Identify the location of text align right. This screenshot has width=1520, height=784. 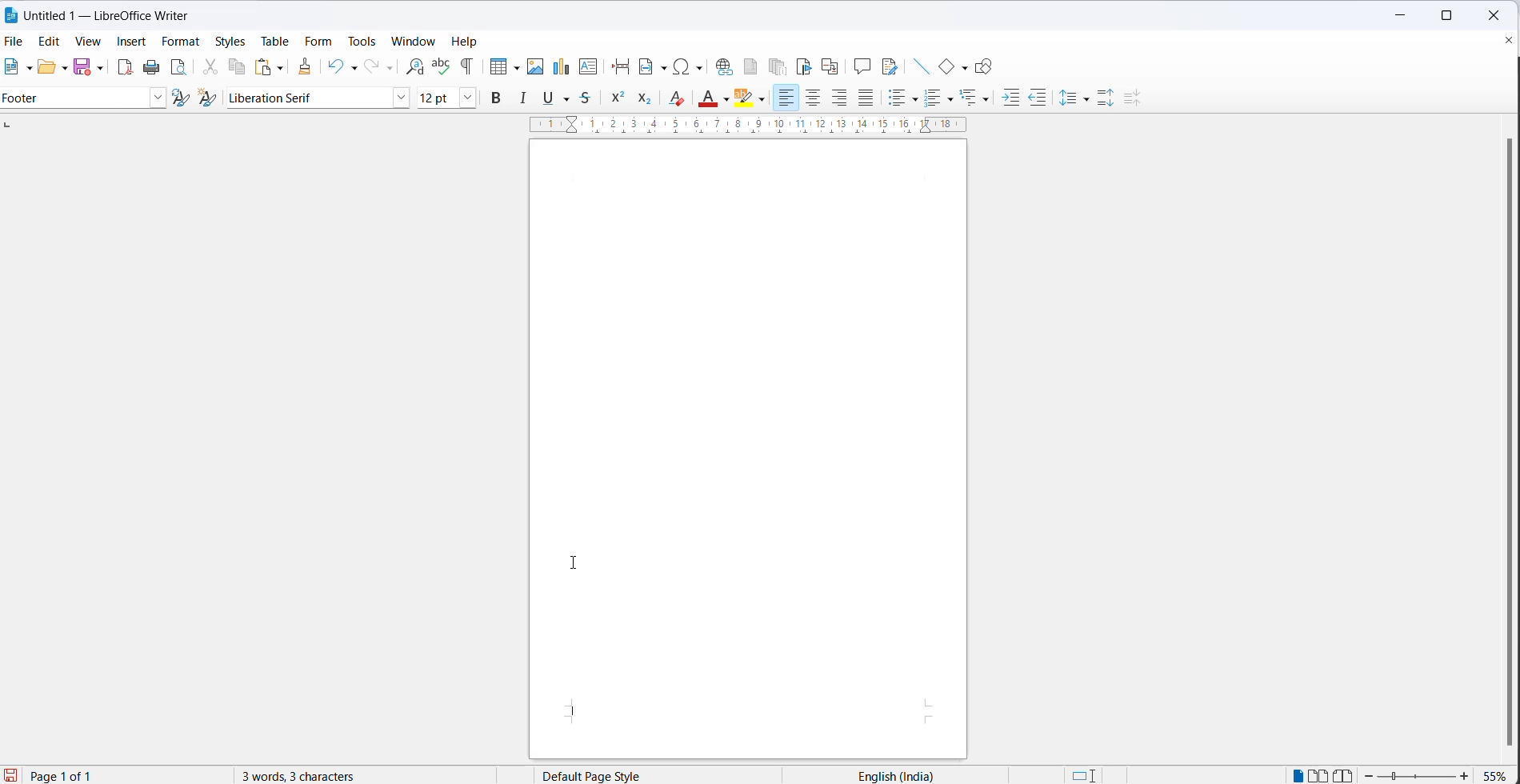
(840, 98).